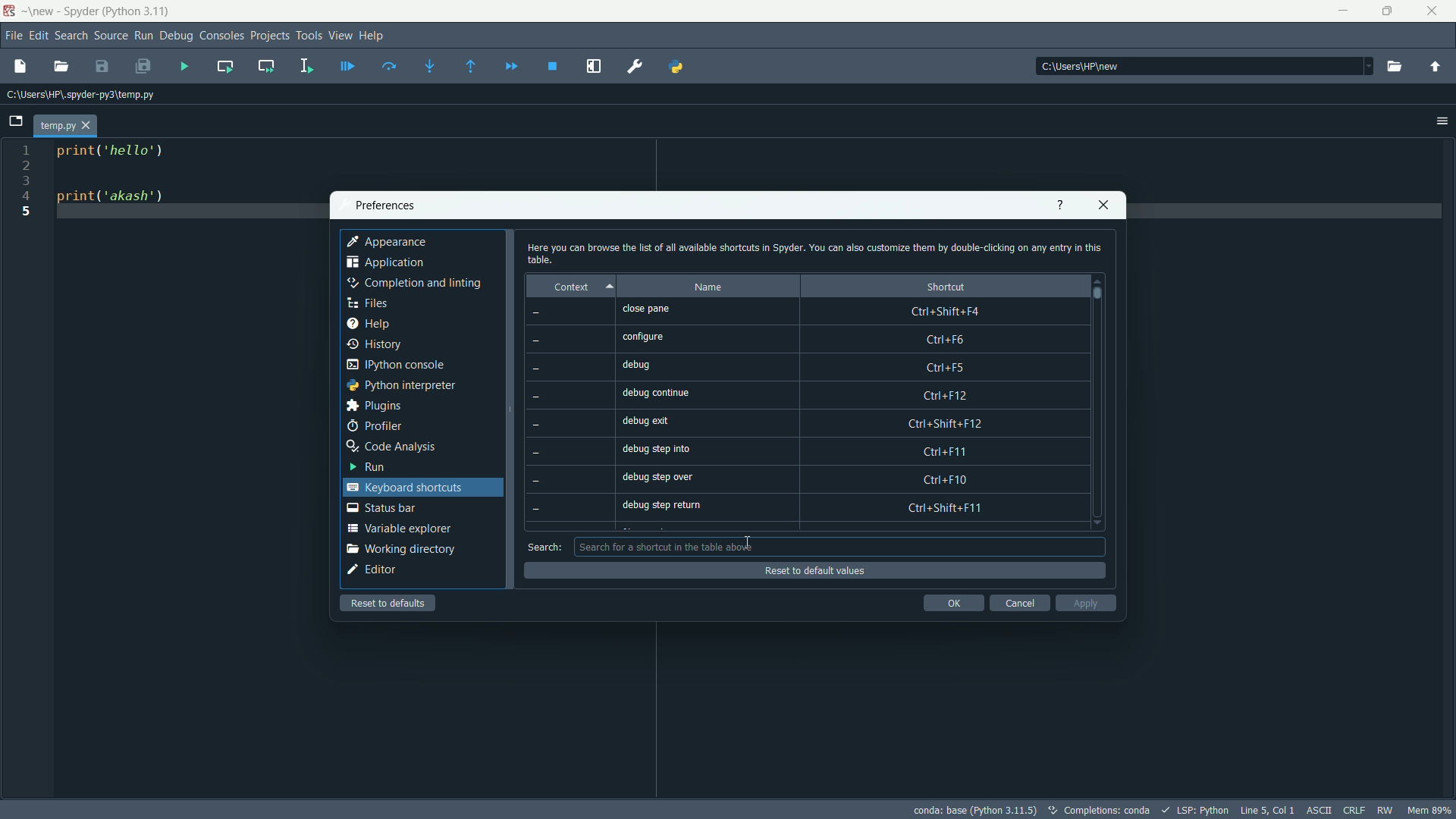 The height and width of the screenshot is (819, 1456). I want to click on consoles menu, so click(220, 35).